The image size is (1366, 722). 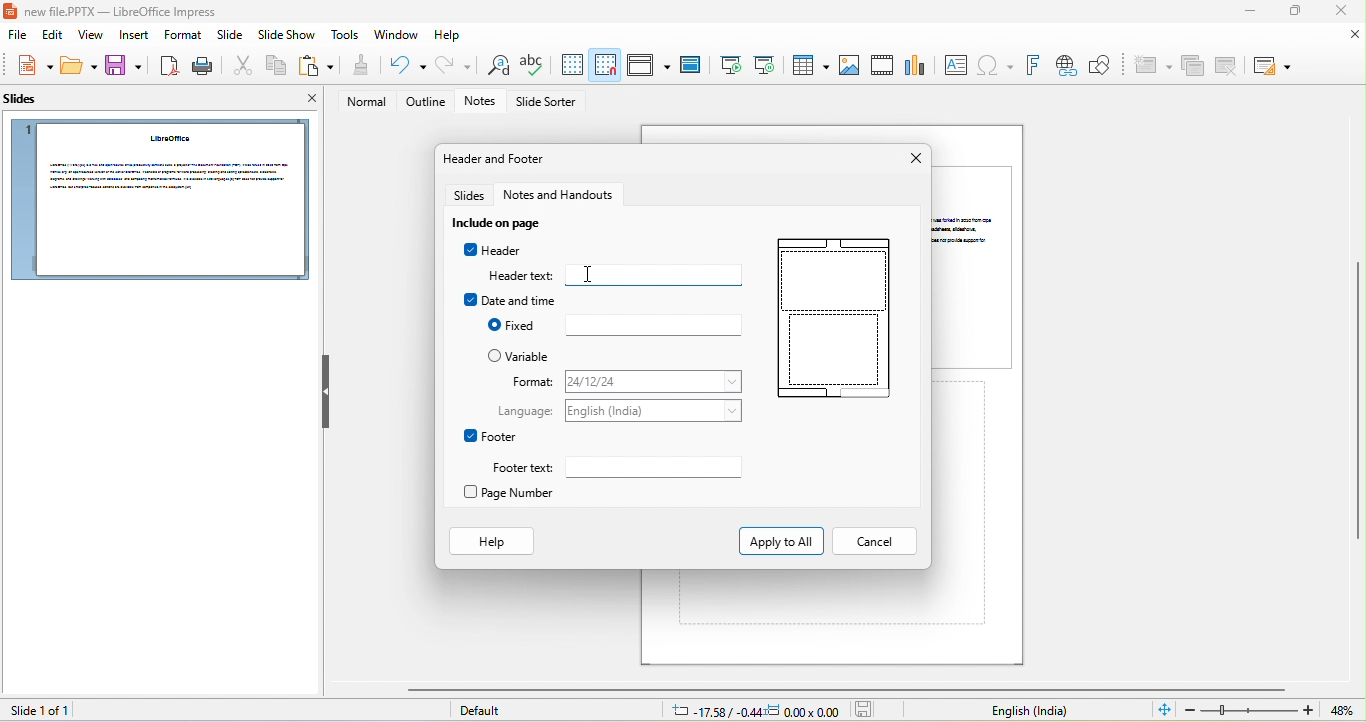 What do you see at coordinates (491, 541) in the screenshot?
I see `Help` at bounding box center [491, 541].